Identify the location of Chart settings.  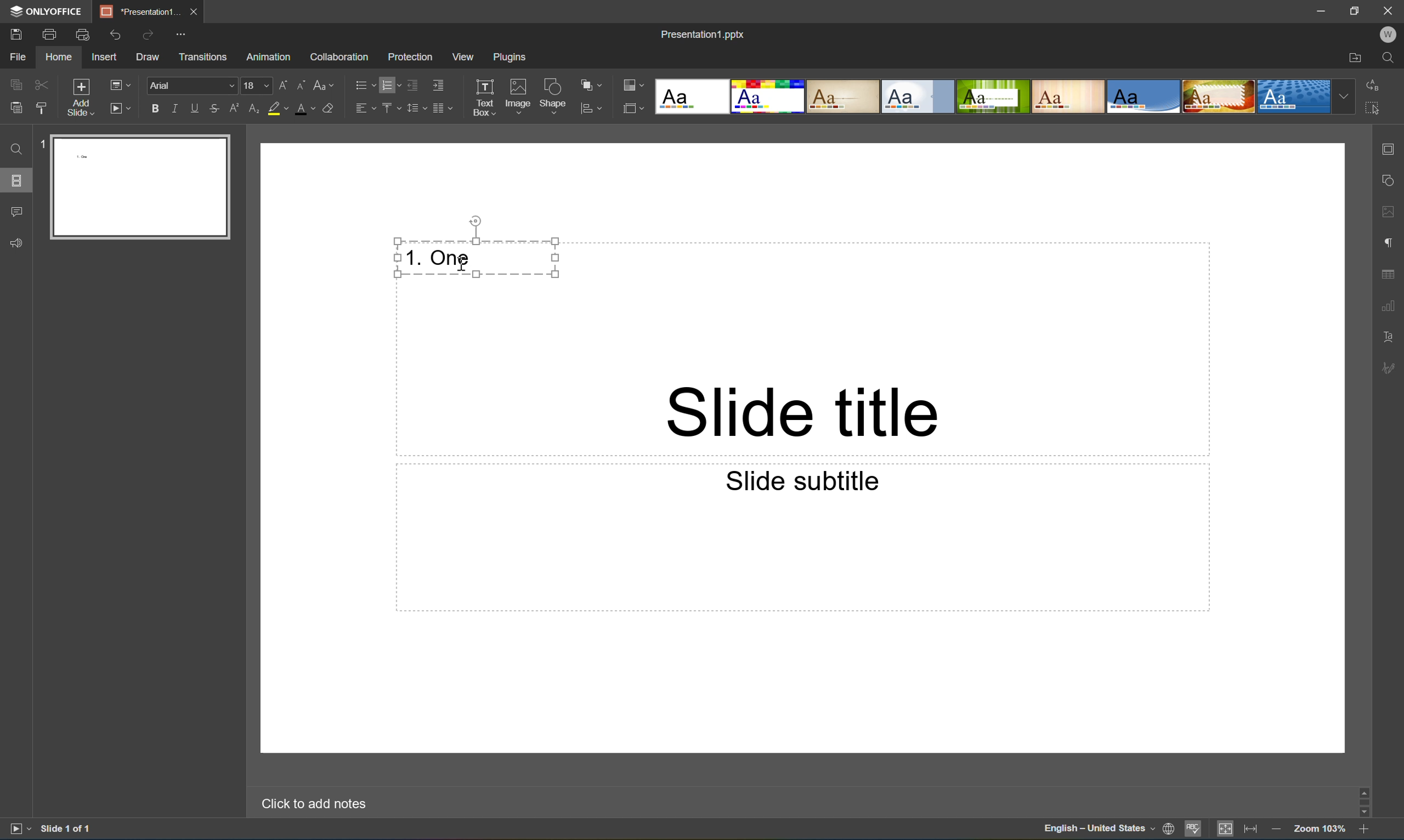
(1390, 306).